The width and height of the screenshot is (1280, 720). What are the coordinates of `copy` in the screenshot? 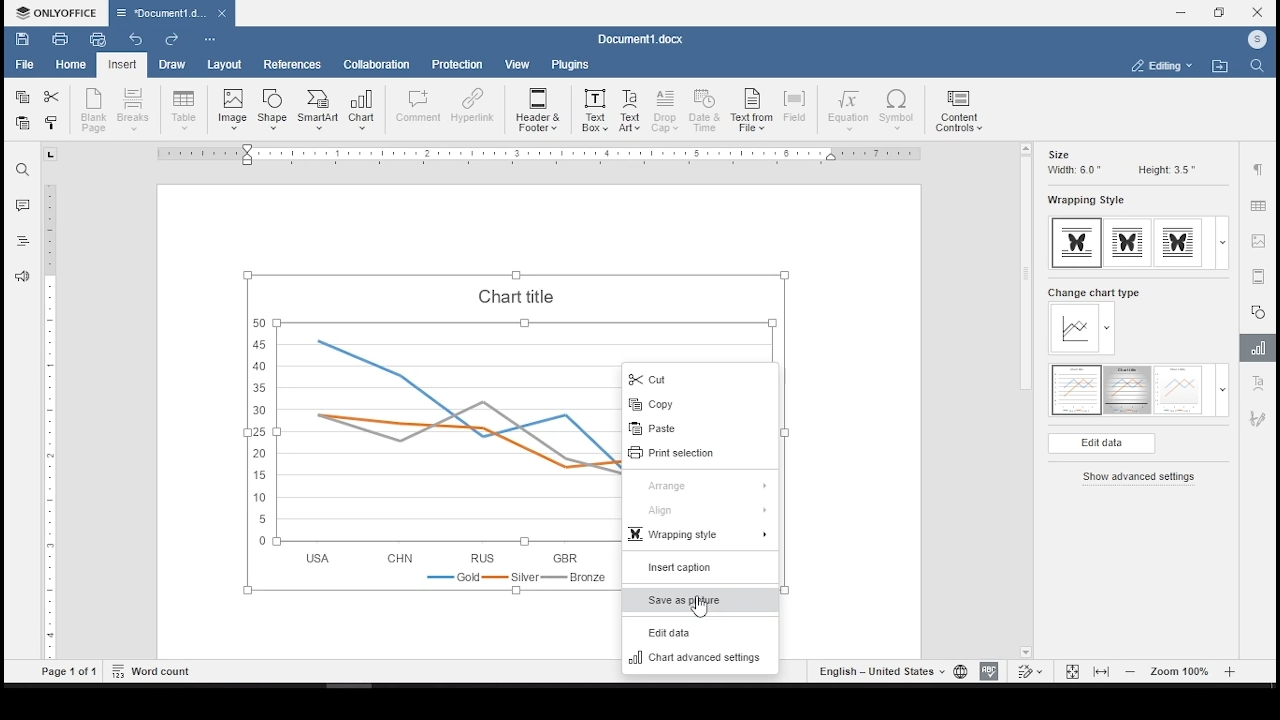 It's located at (22, 98).